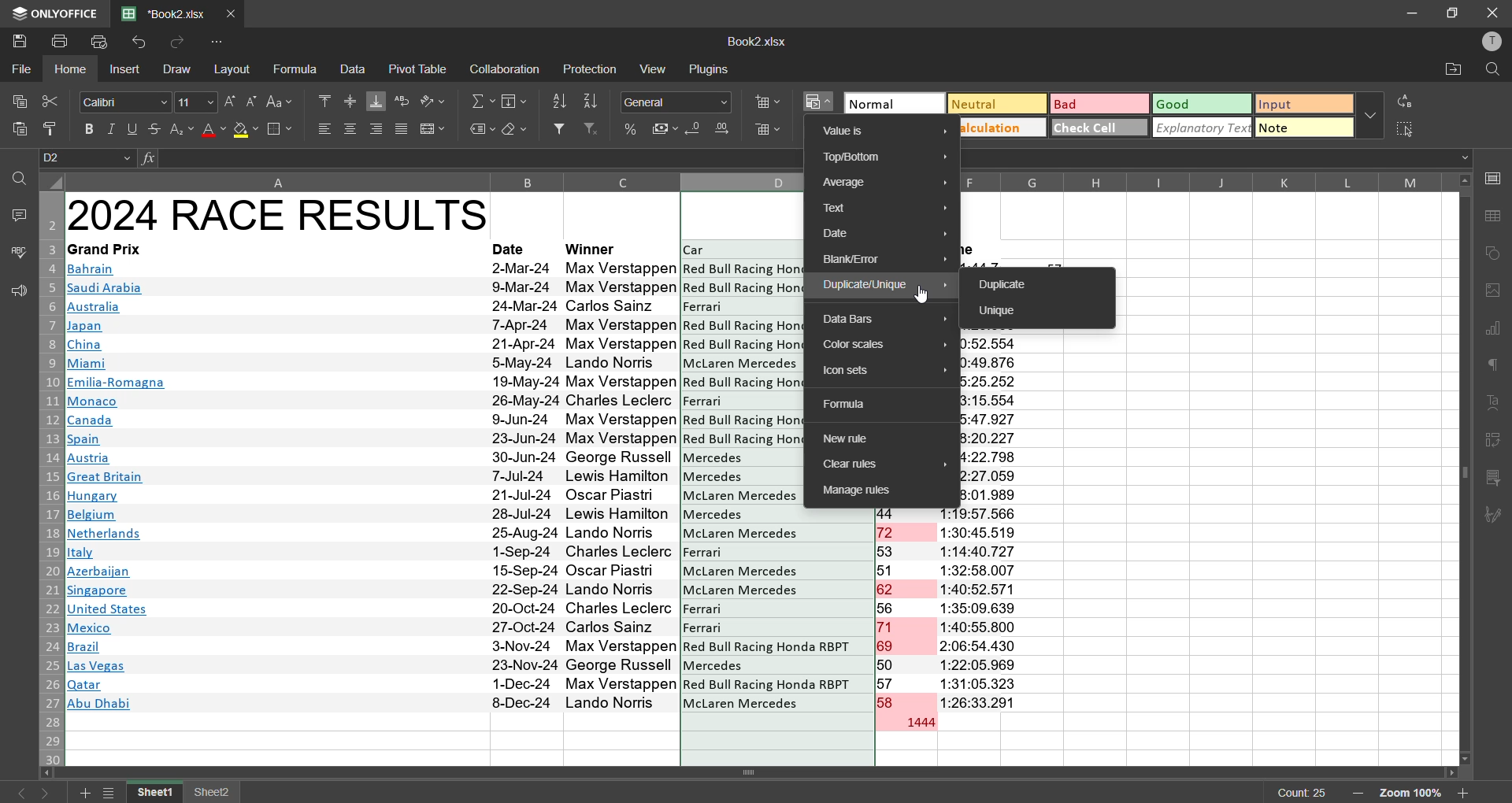 This screenshot has width=1512, height=803. What do you see at coordinates (892, 103) in the screenshot?
I see `normal` at bounding box center [892, 103].